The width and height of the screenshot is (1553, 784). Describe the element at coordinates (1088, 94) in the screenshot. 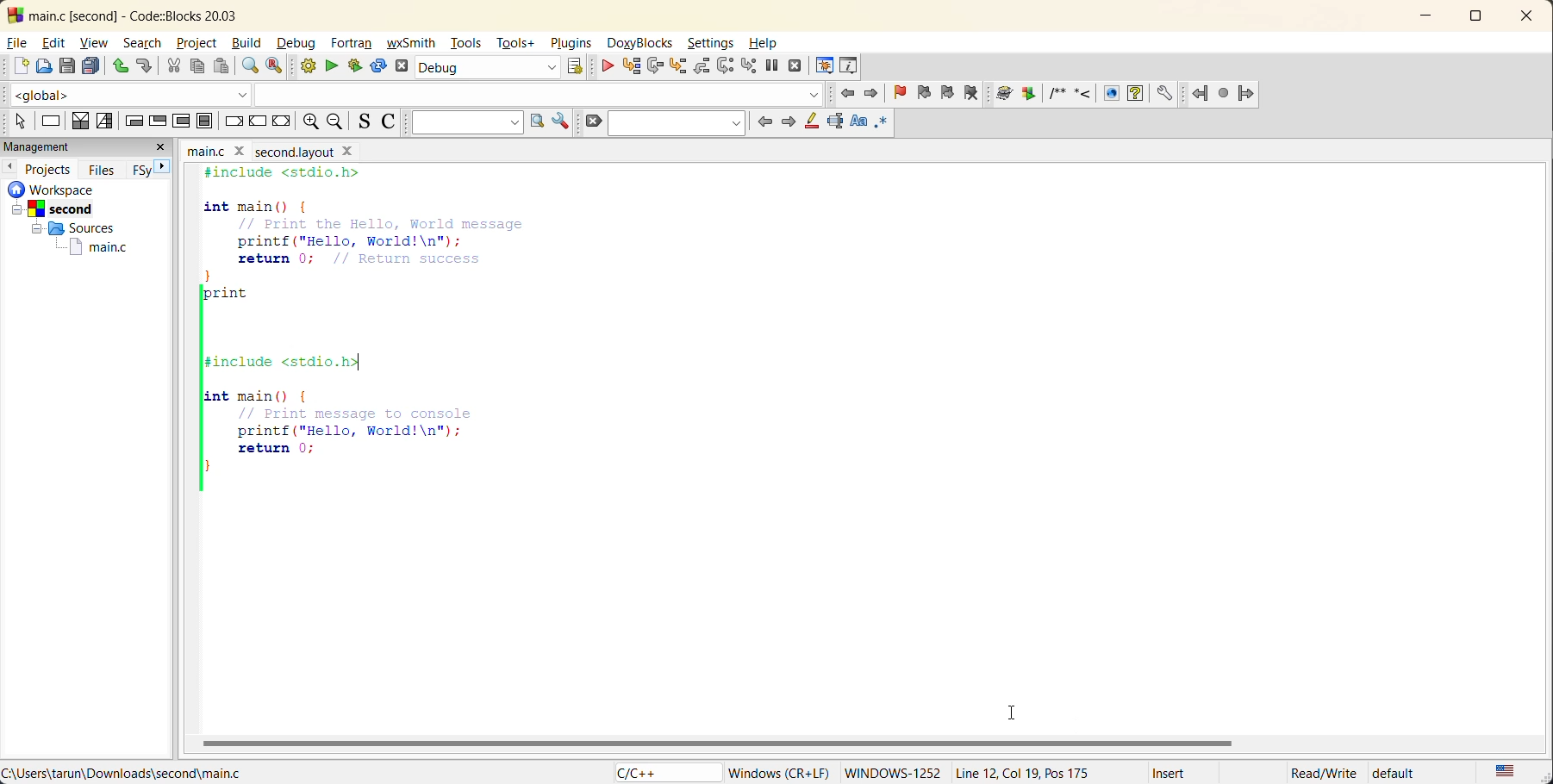

I see `doxyblocks reference` at that location.